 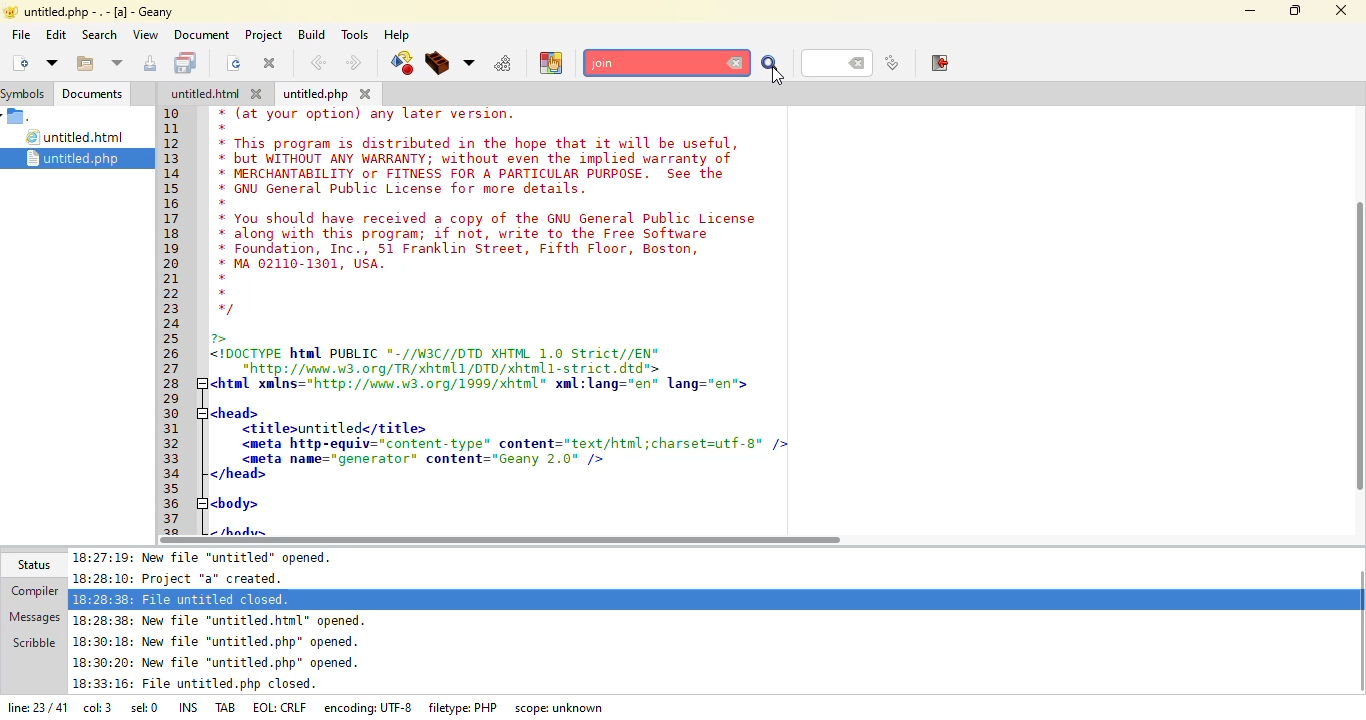 What do you see at coordinates (261, 34) in the screenshot?
I see `project` at bounding box center [261, 34].